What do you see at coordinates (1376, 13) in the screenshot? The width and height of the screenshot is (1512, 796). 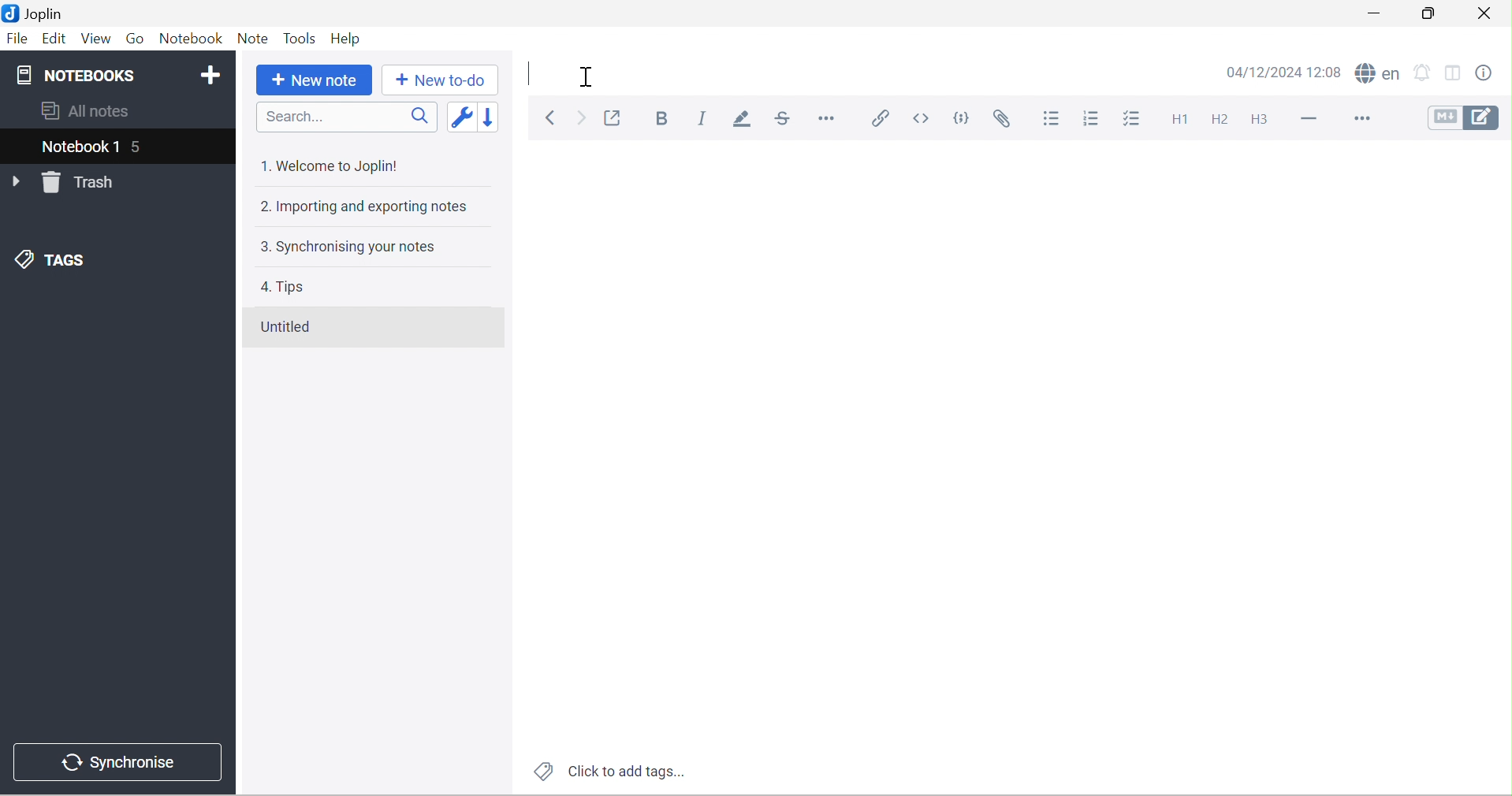 I see `Minimize` at bounding box center [1376, 13].